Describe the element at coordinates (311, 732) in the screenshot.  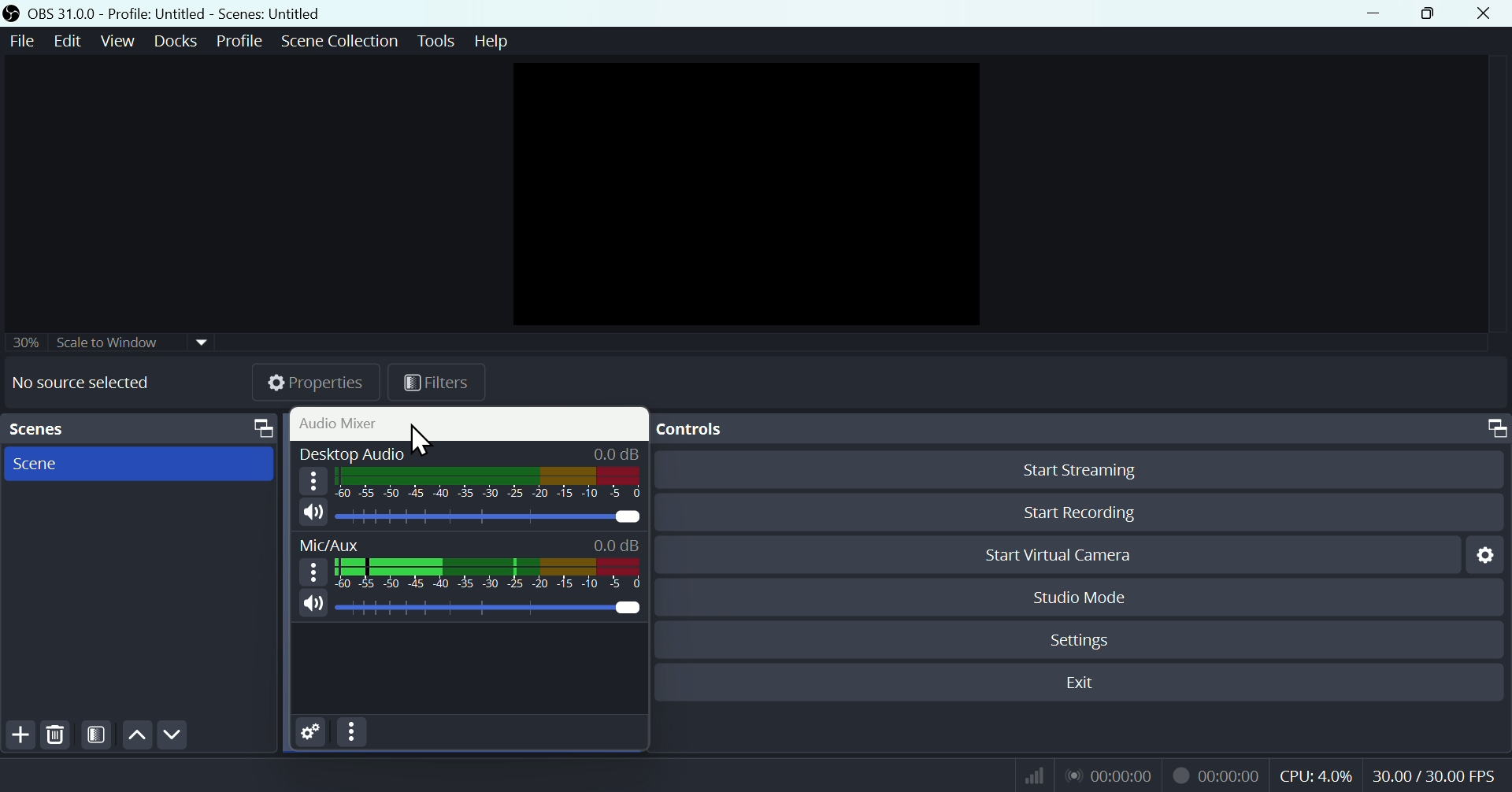
I see `Settings` at that location.